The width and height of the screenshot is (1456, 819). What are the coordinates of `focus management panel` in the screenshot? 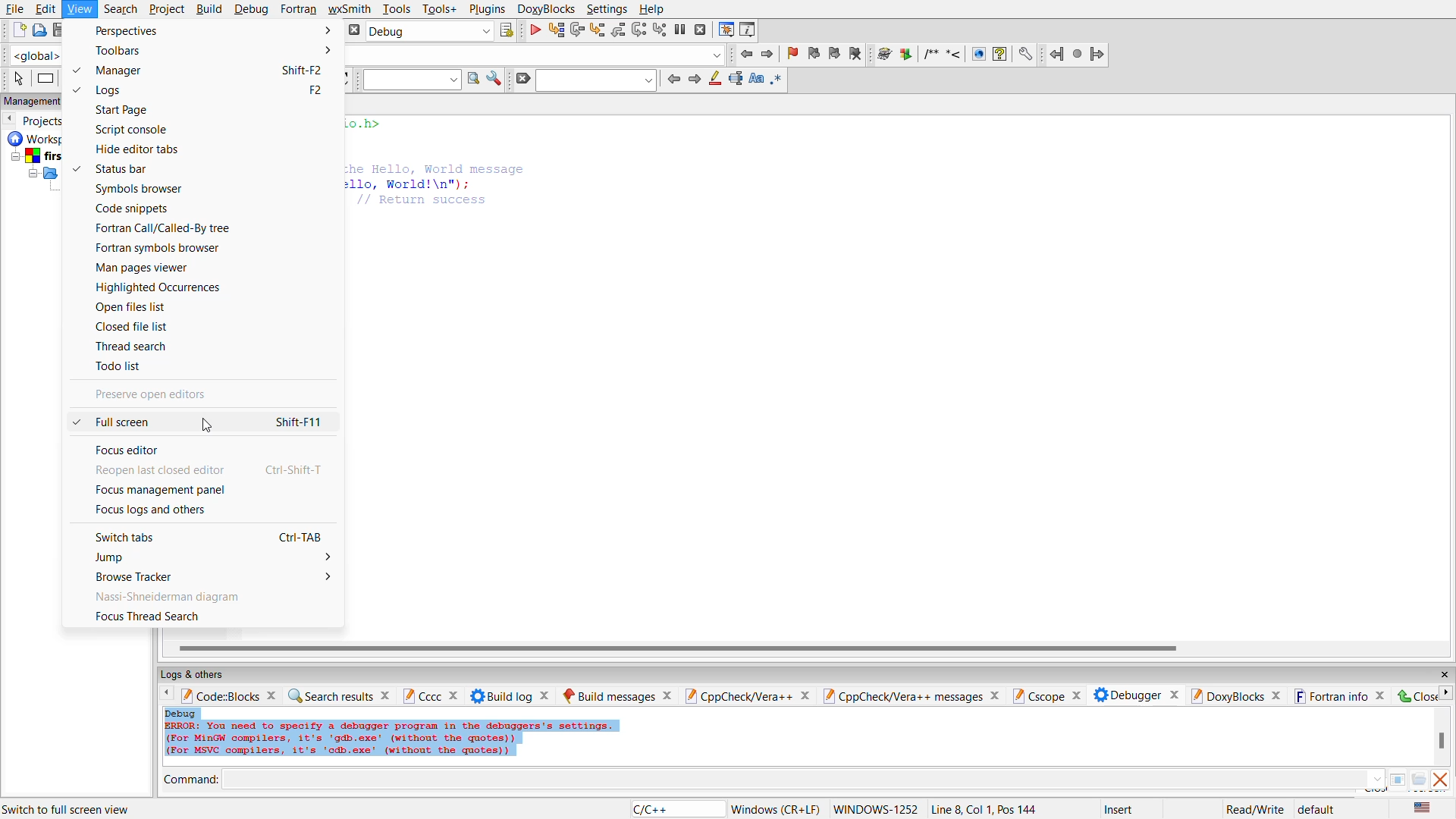 It's located at (168, 489).